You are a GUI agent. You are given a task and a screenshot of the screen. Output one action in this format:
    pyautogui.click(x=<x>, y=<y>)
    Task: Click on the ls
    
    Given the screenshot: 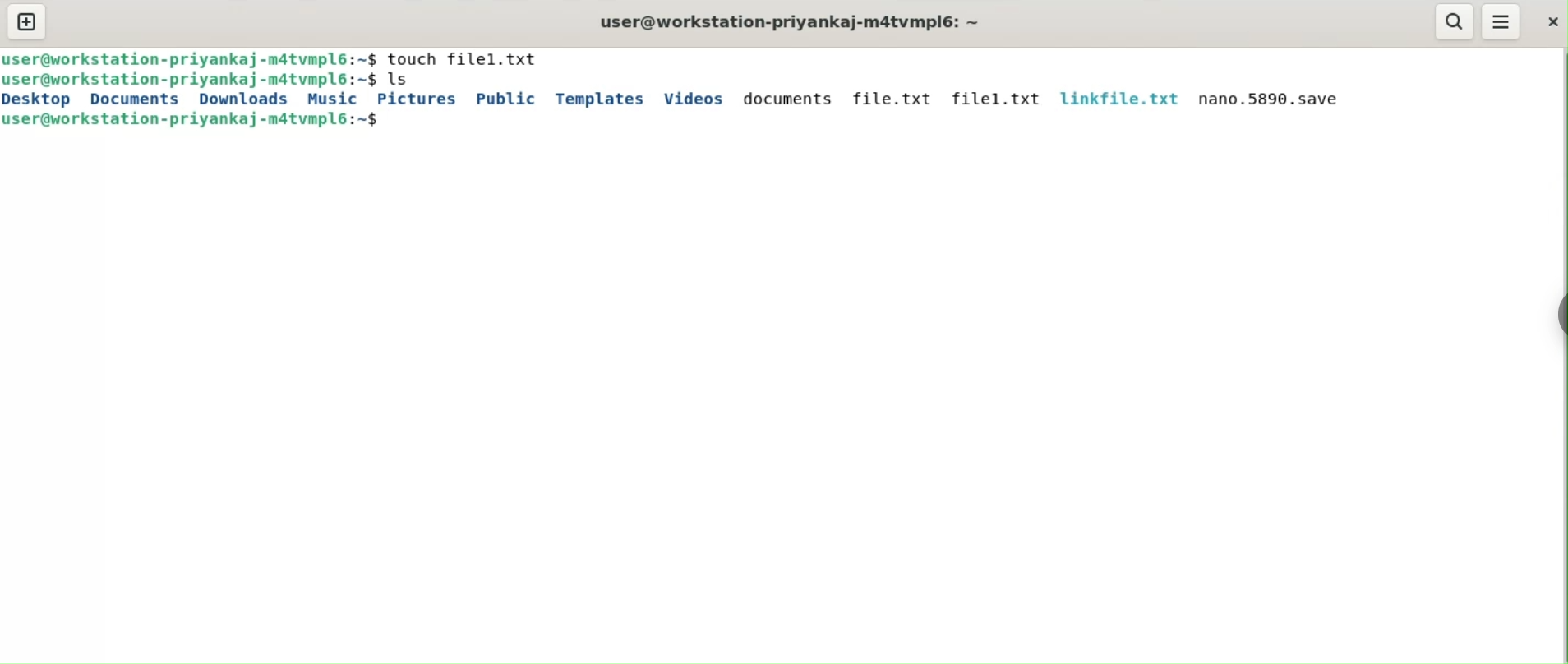 What is the action you would take?
    pyautogui.click(x=401, y=81)
    